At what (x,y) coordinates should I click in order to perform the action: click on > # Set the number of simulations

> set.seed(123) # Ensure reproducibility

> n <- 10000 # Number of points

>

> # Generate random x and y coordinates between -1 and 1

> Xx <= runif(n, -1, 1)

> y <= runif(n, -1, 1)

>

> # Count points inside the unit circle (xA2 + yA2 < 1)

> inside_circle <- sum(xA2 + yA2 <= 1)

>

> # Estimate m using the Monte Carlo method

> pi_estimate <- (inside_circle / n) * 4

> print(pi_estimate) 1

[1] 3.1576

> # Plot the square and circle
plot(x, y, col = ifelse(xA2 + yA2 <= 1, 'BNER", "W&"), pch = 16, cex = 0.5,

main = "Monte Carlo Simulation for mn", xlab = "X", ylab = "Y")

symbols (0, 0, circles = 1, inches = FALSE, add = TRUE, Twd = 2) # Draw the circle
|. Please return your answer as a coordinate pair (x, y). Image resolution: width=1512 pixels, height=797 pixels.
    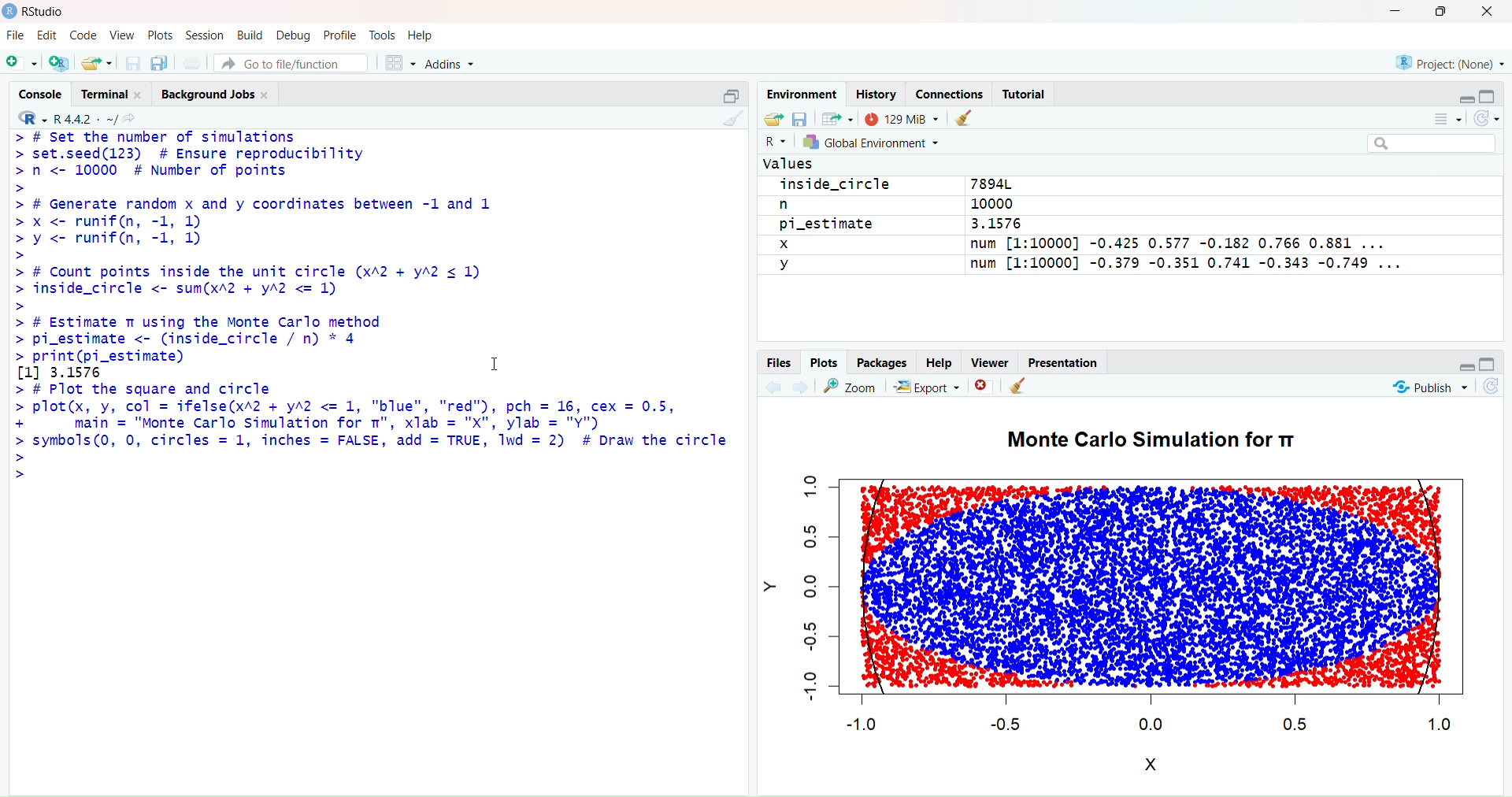
    Looking at the image, I should click on (367, 303).